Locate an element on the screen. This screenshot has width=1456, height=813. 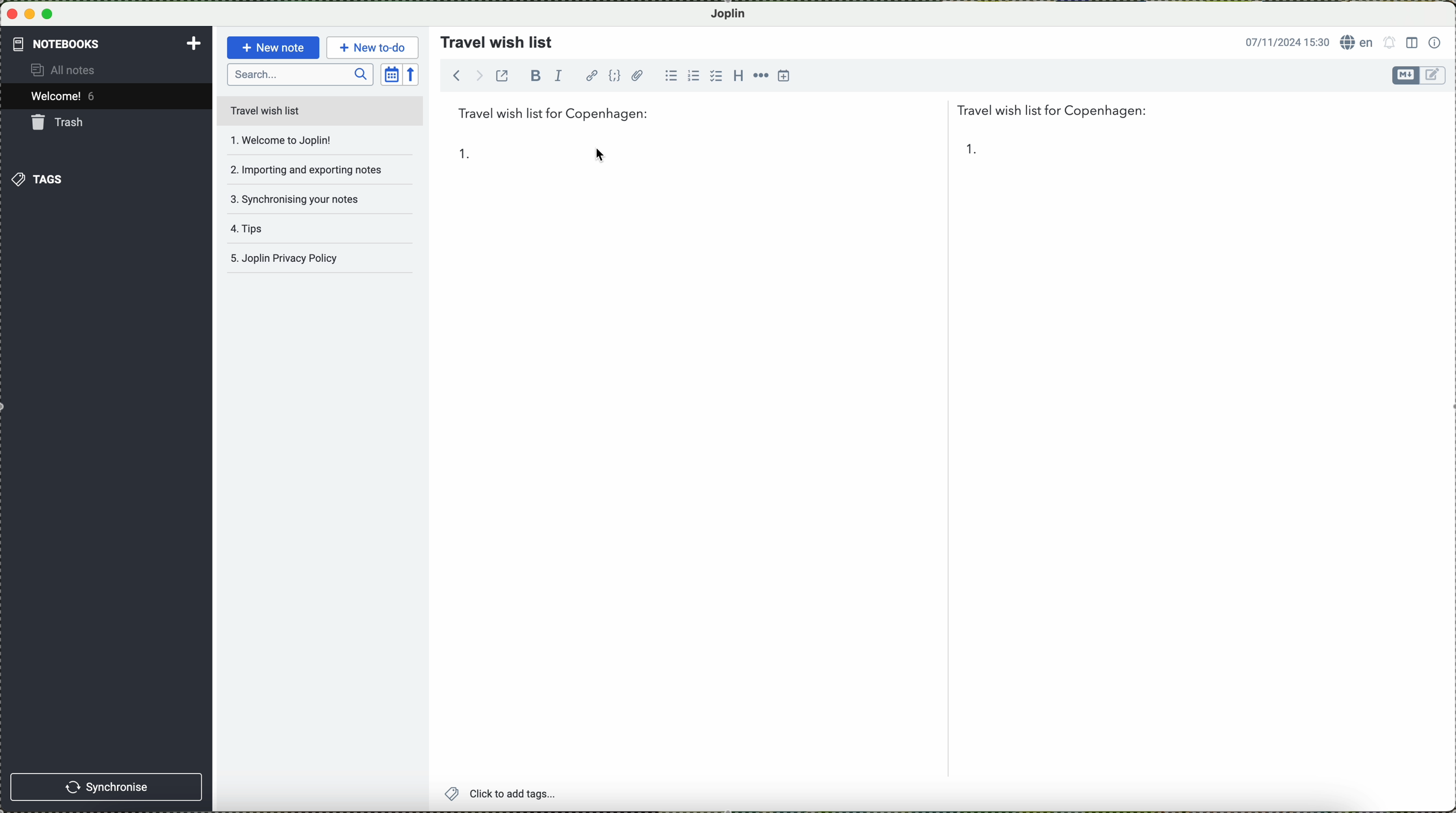
heading is located at coordinates (736, 75).